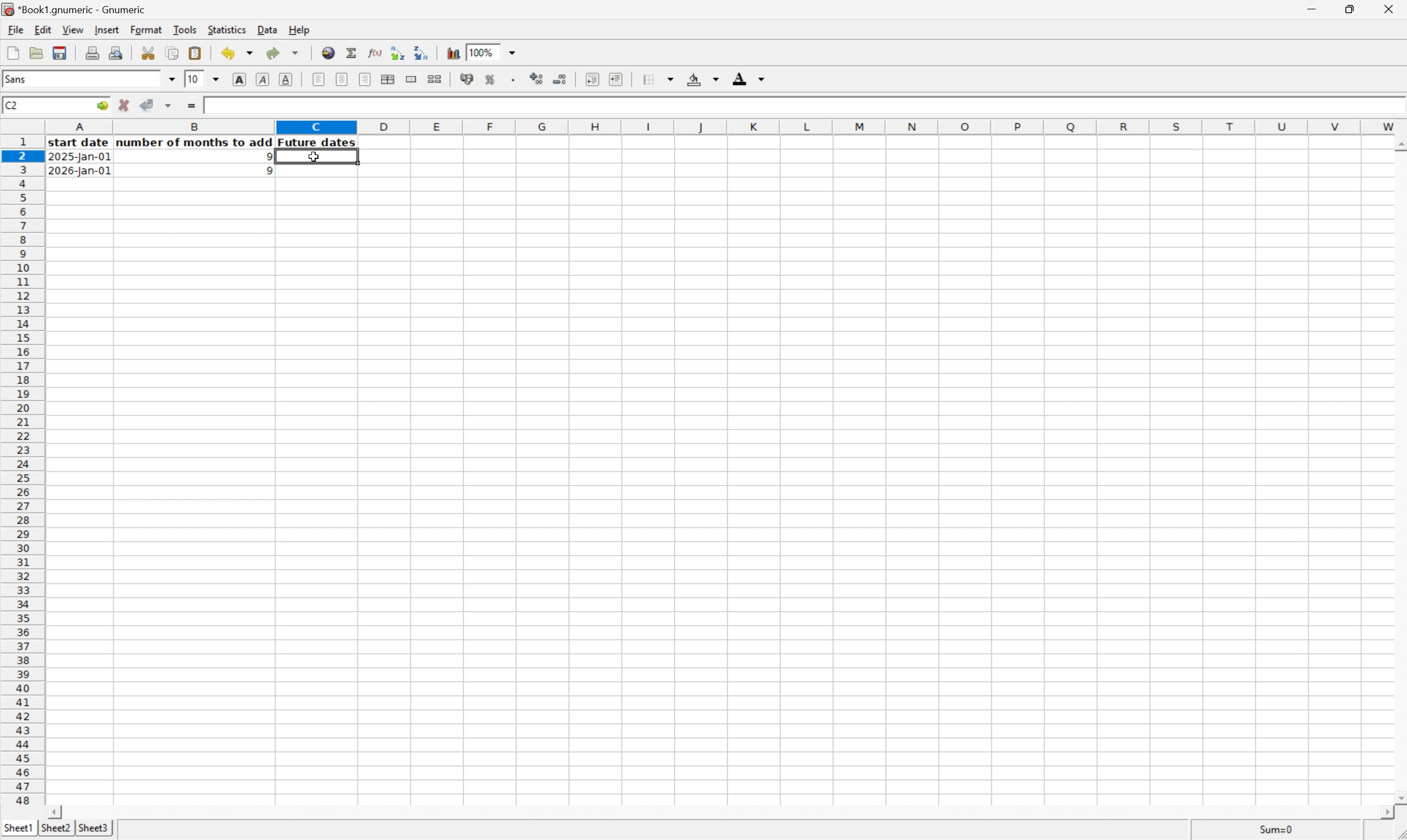 This screenshot has height=840, width=1407. I want to click on Data, so click(267, 29).